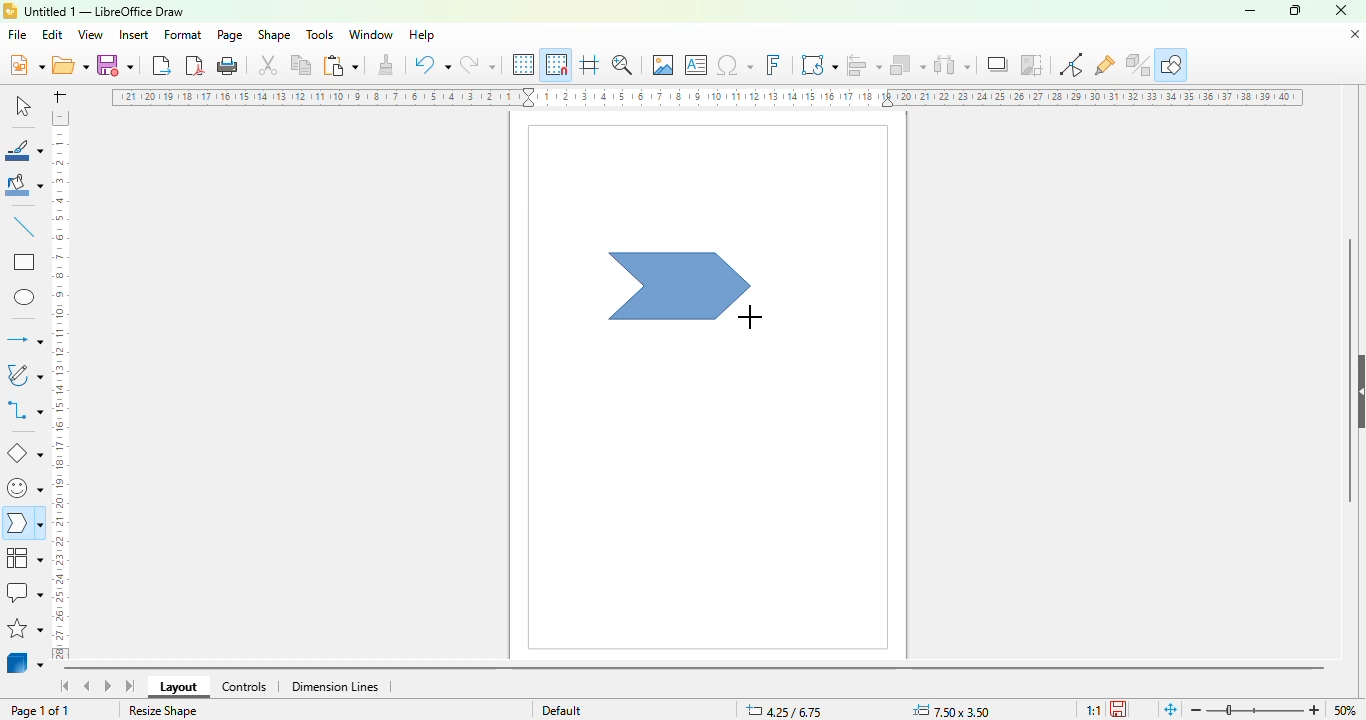  What do you see at coordinates (707, 97) in the screenshot?
I see `ruler` at bounding box center [707, 97].